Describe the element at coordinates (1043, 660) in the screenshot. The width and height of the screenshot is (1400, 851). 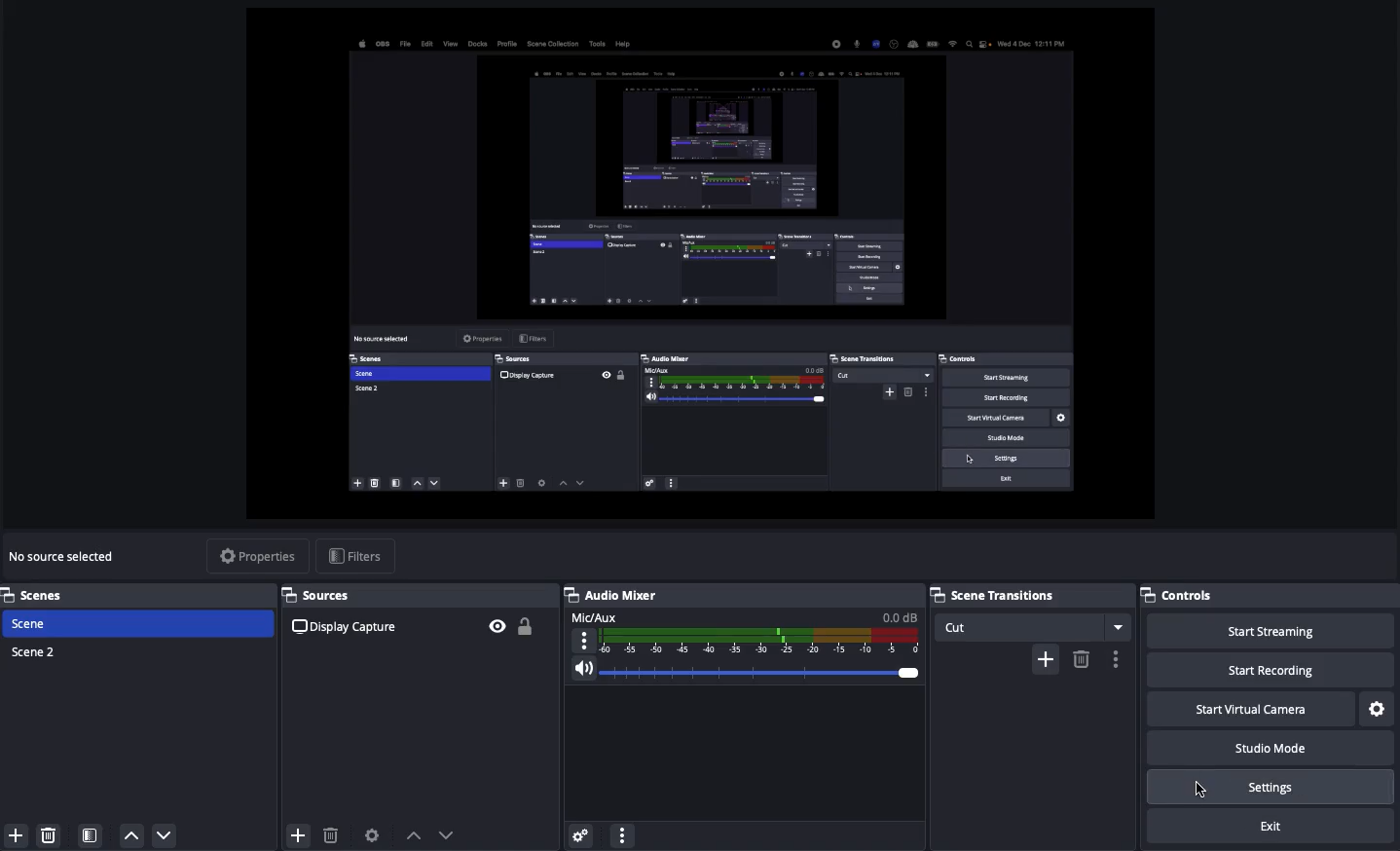
I see `Add` at that location.